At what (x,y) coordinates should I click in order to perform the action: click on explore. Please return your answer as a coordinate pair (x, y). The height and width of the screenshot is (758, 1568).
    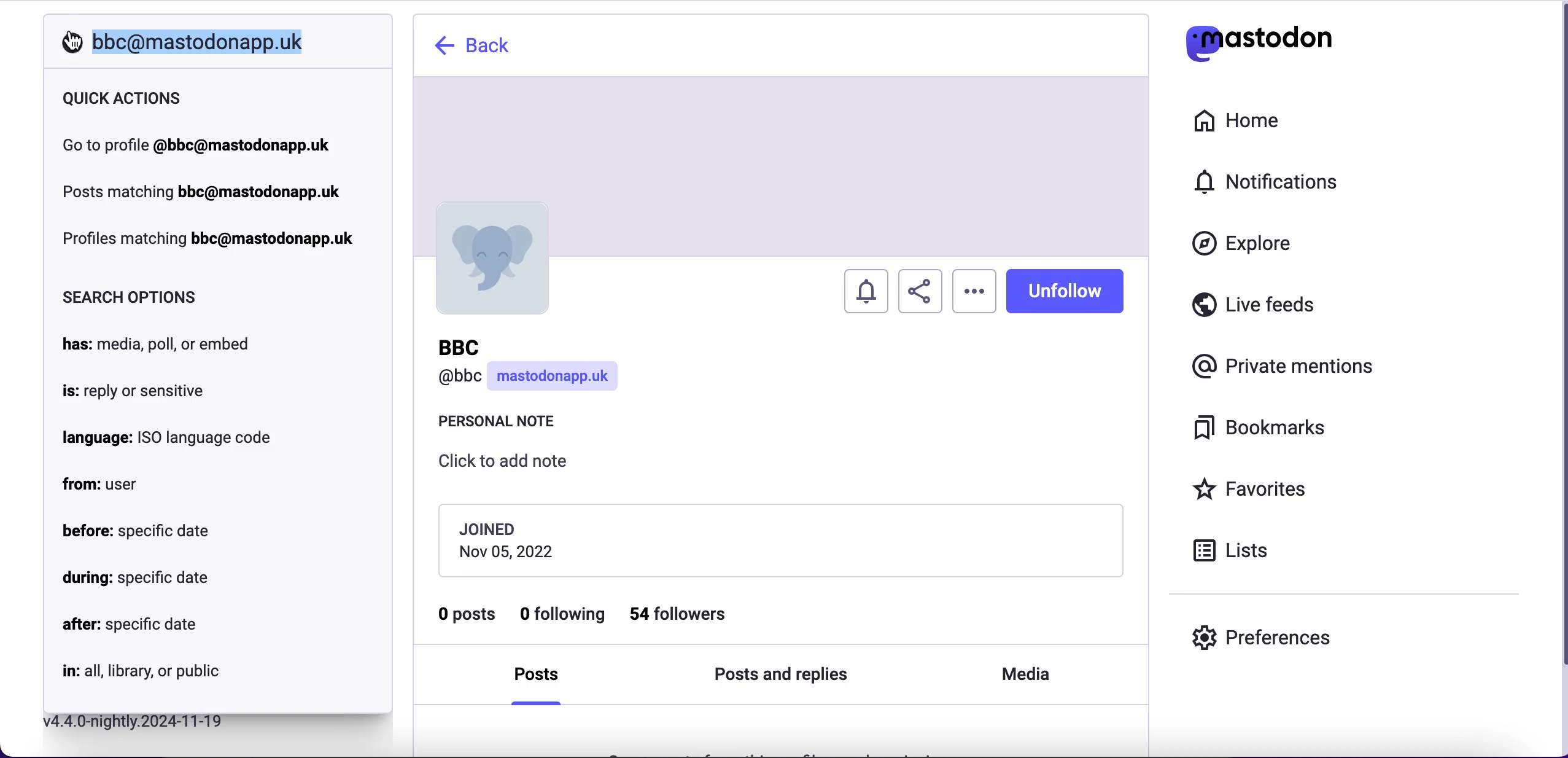
    Looking at the image, I should click on (1254, 244).